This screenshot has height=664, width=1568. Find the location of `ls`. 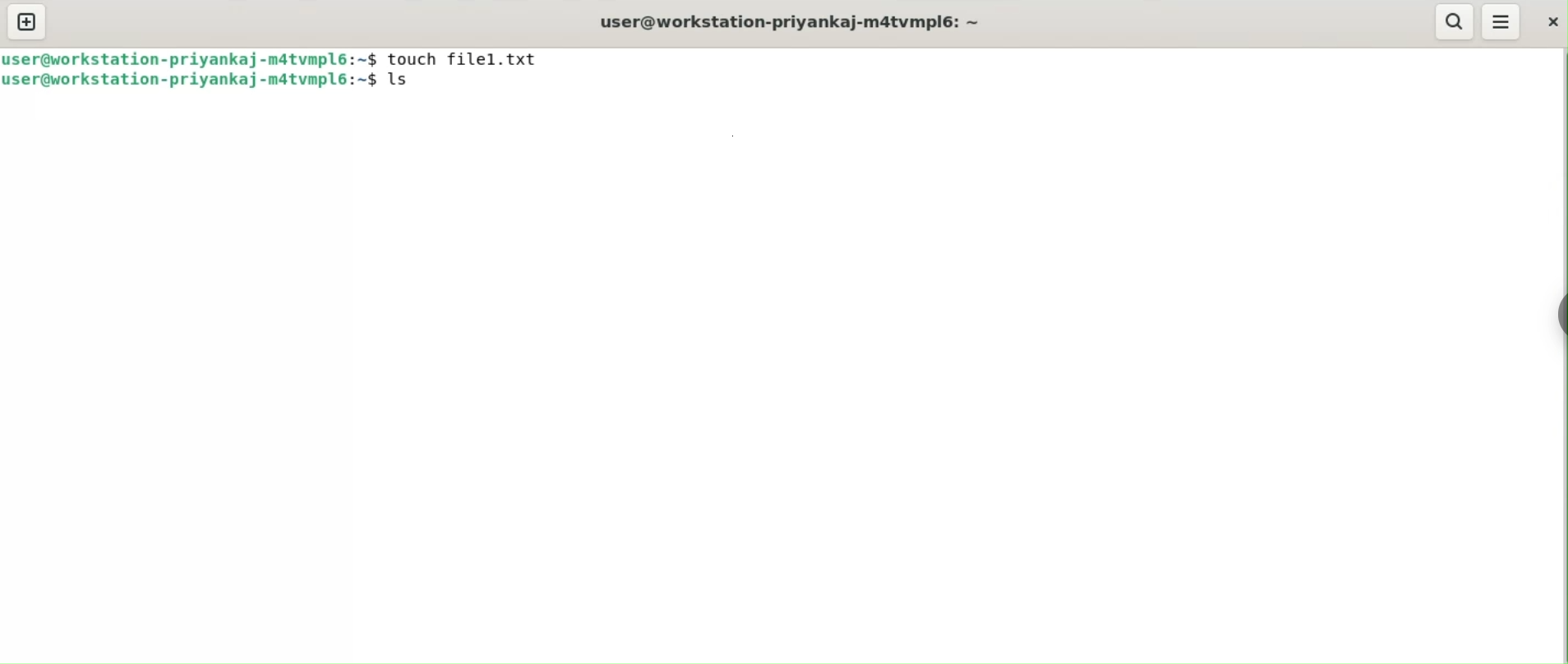

ls is located at coordinates (401, 81).